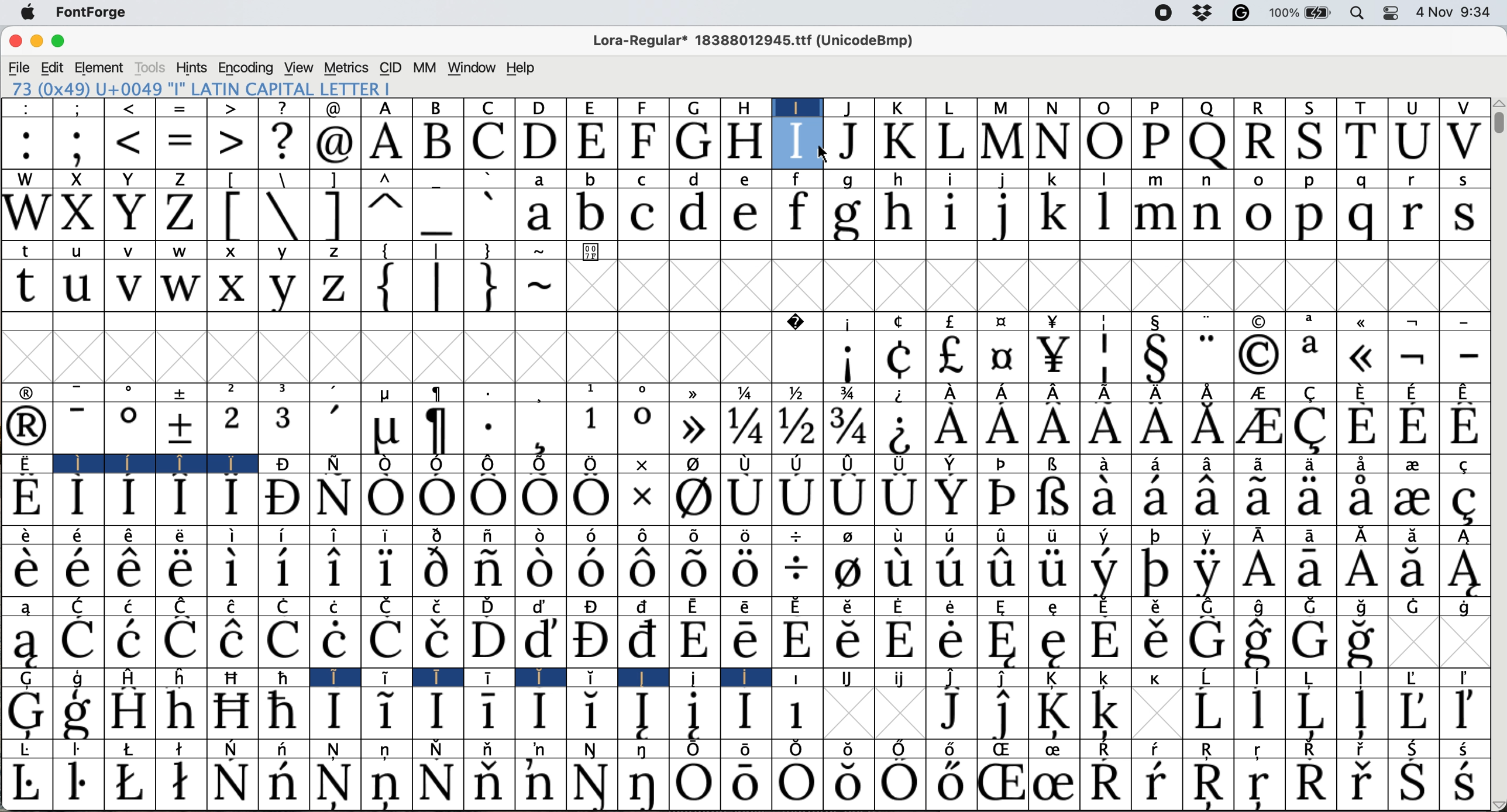  I want to click on Symbol, so click(440, 429).